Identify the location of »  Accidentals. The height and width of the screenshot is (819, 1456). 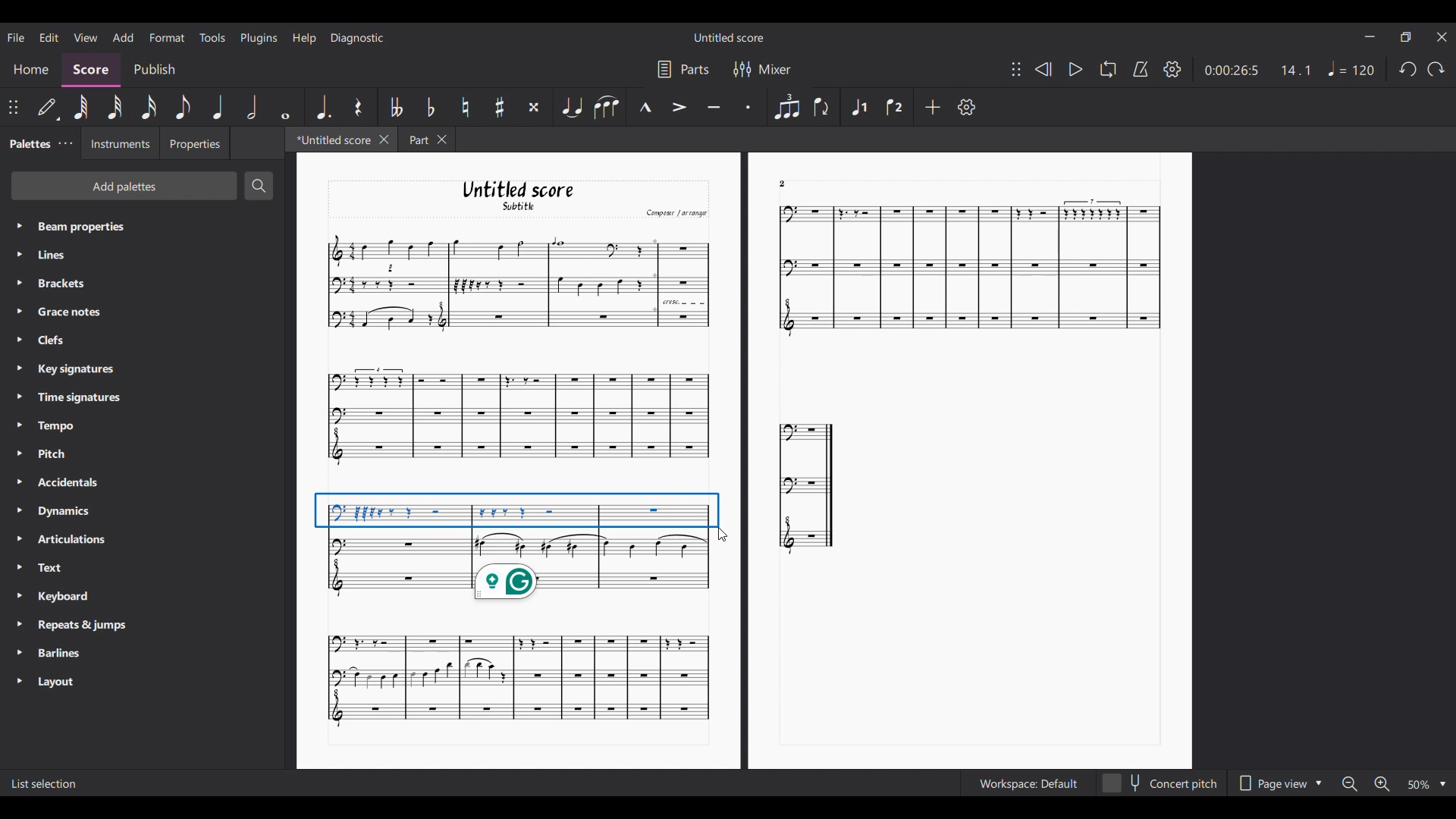
(63, 485).